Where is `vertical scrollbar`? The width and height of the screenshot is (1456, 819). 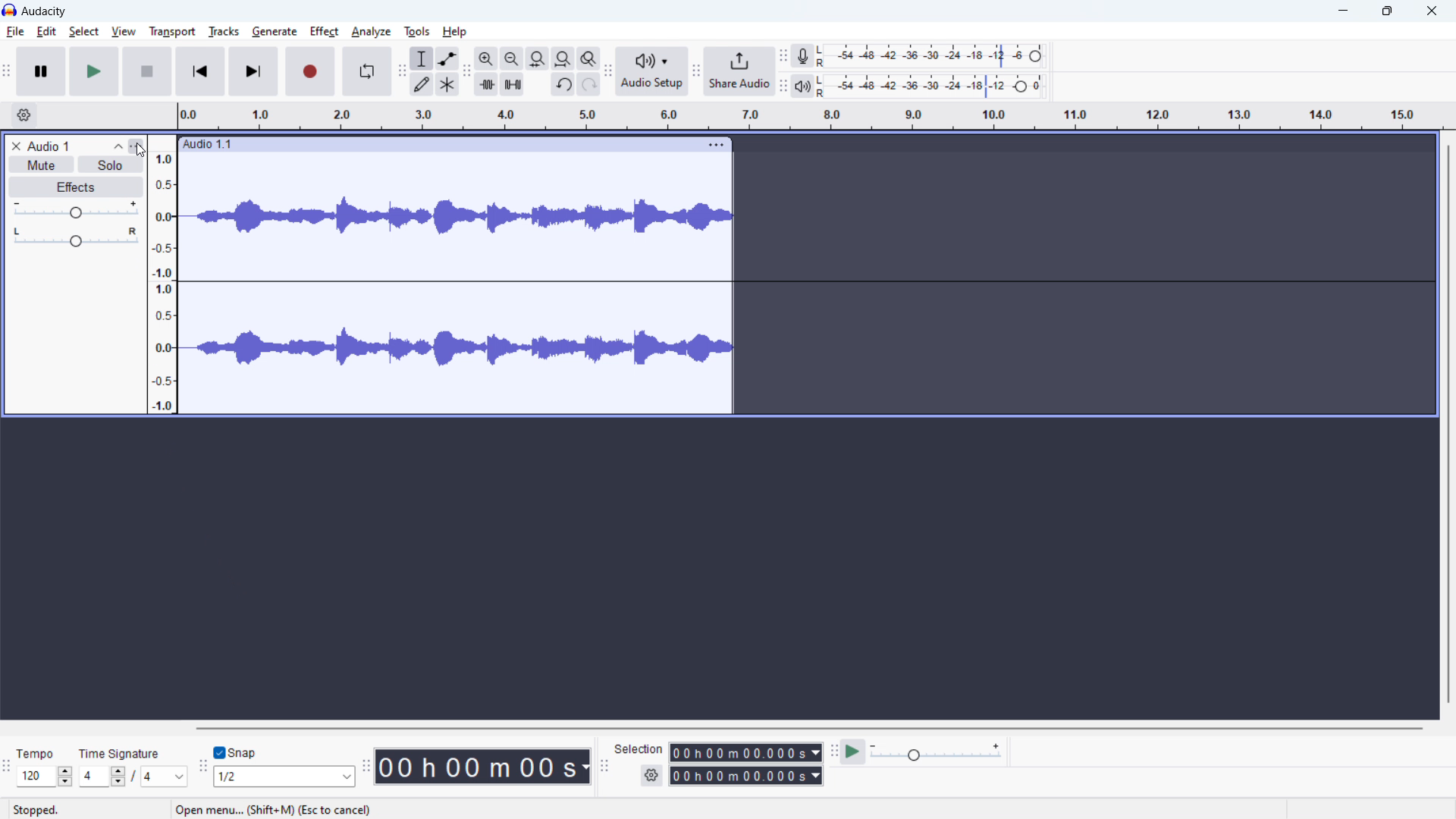
vertical scrollbar is located at coordinates (1449, 424).